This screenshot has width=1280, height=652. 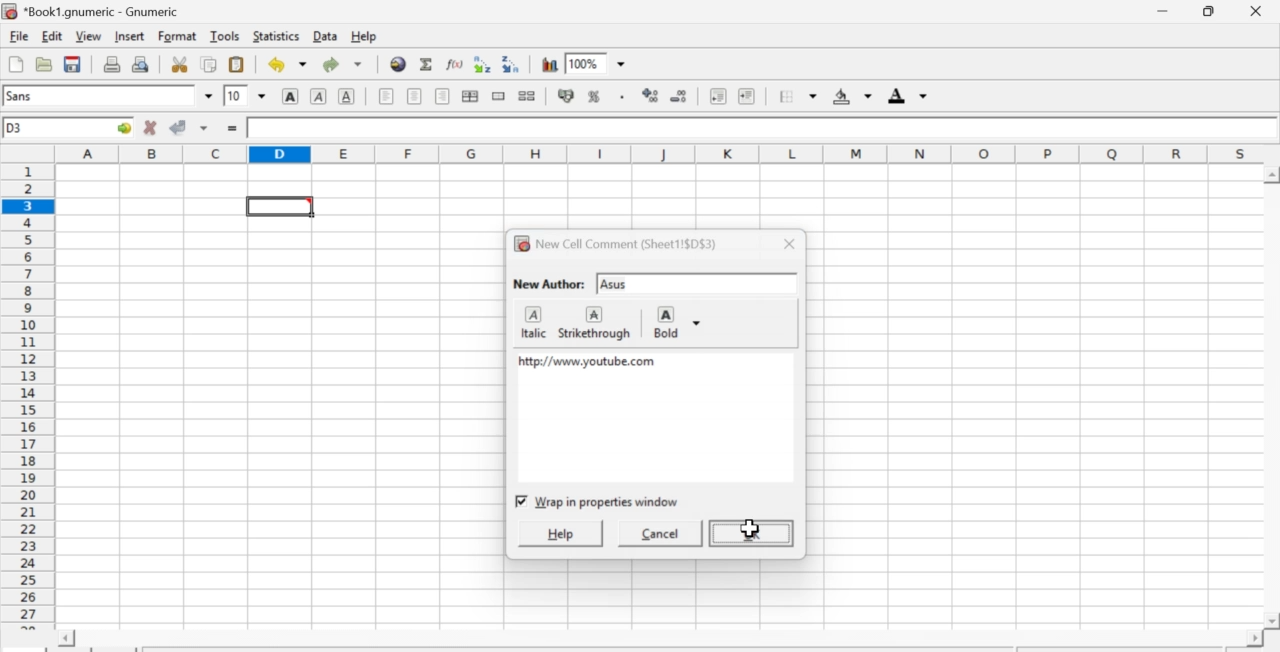 I want to click on Minimize, so click(x=1162, y=12).